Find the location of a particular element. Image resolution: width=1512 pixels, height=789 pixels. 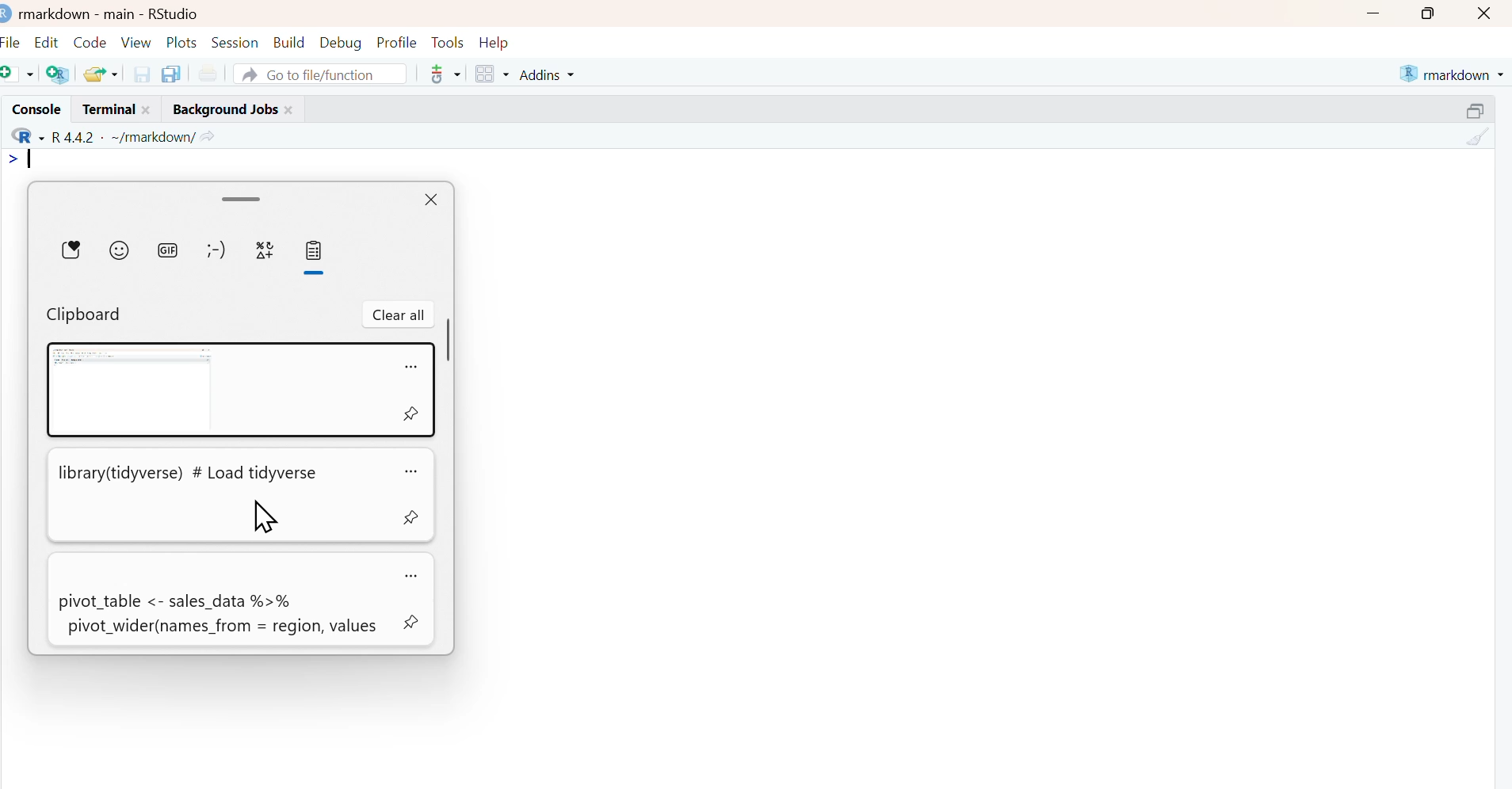

workspace panes is located at coordinates (492, 74).